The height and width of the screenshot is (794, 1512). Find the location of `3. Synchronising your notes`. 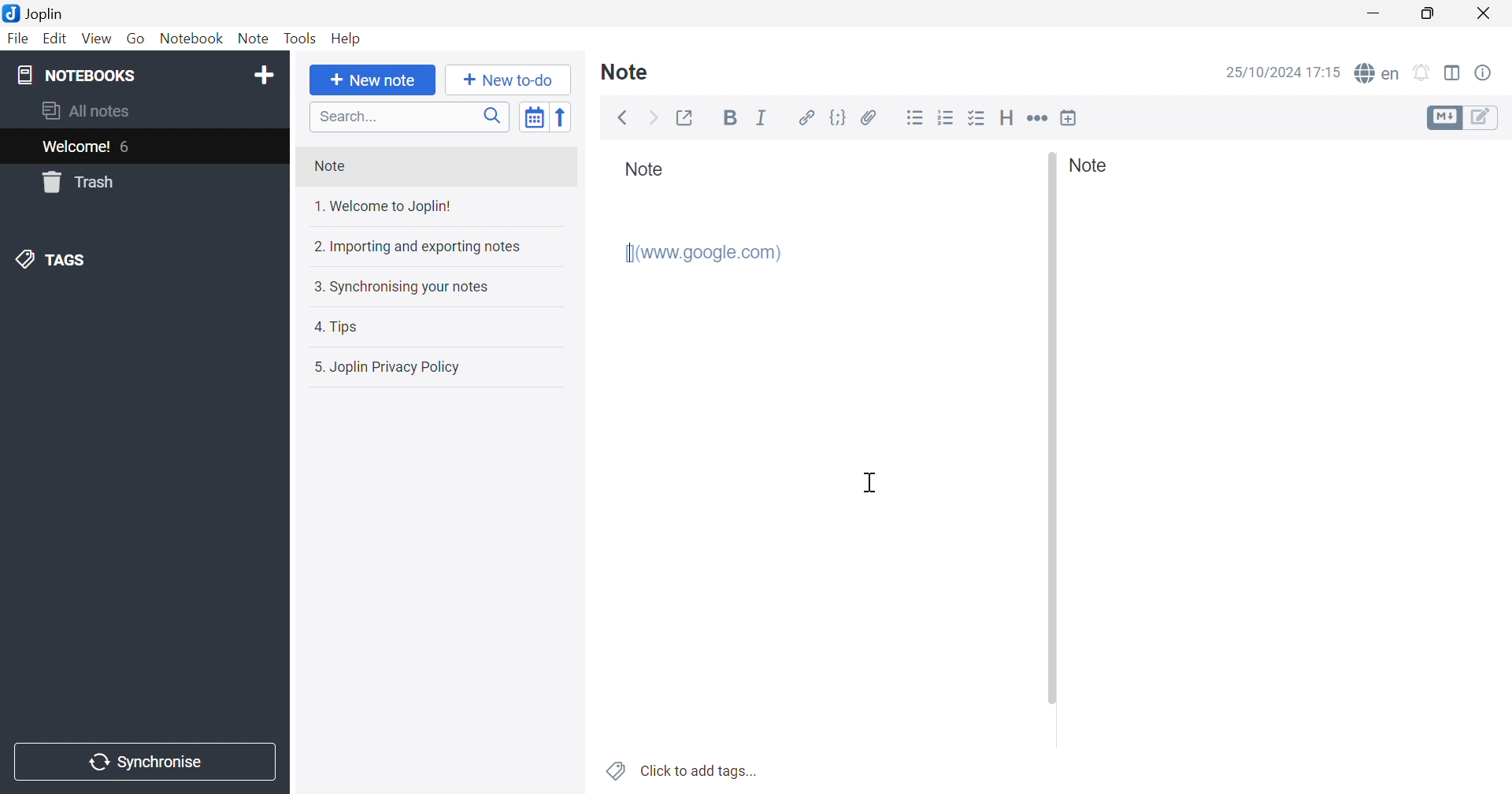

3. Synchronising your notes is located at coordinates (431, 286).